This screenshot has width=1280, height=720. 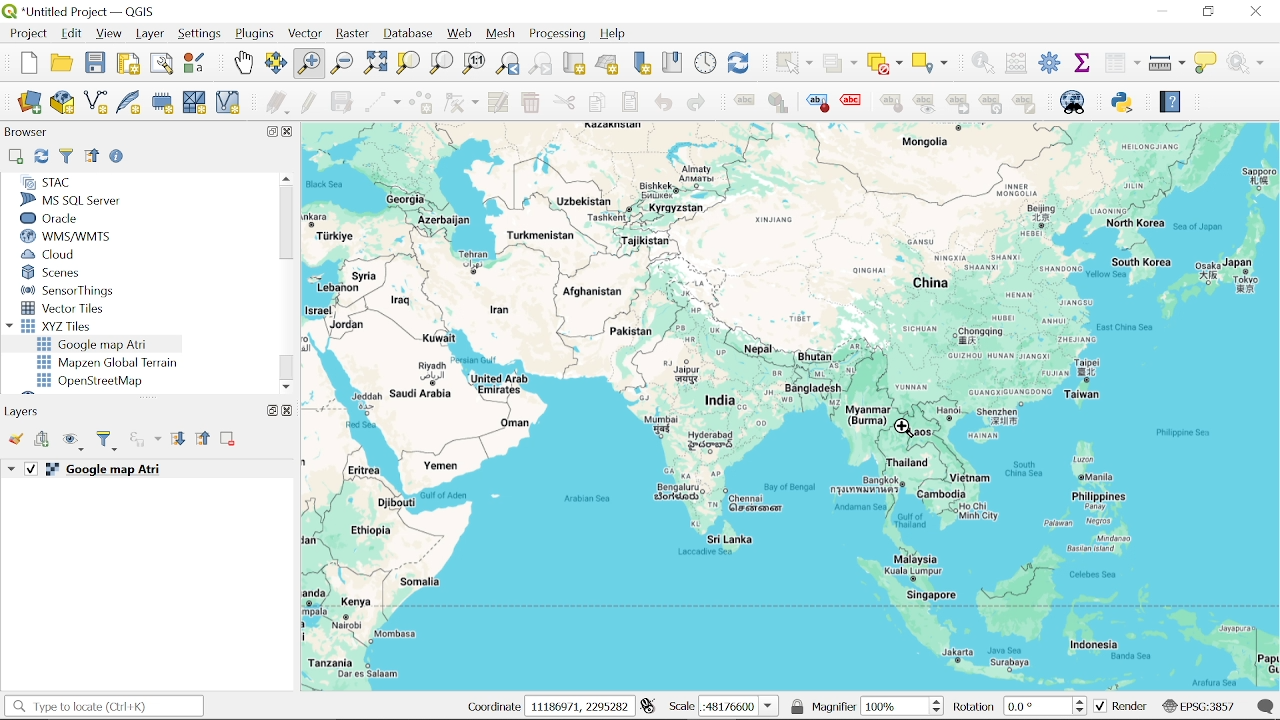 What do you see at coordinates (1084, 62) in the screenshot?
I see `Show statistical summary` at bounding box center [1084, 62].